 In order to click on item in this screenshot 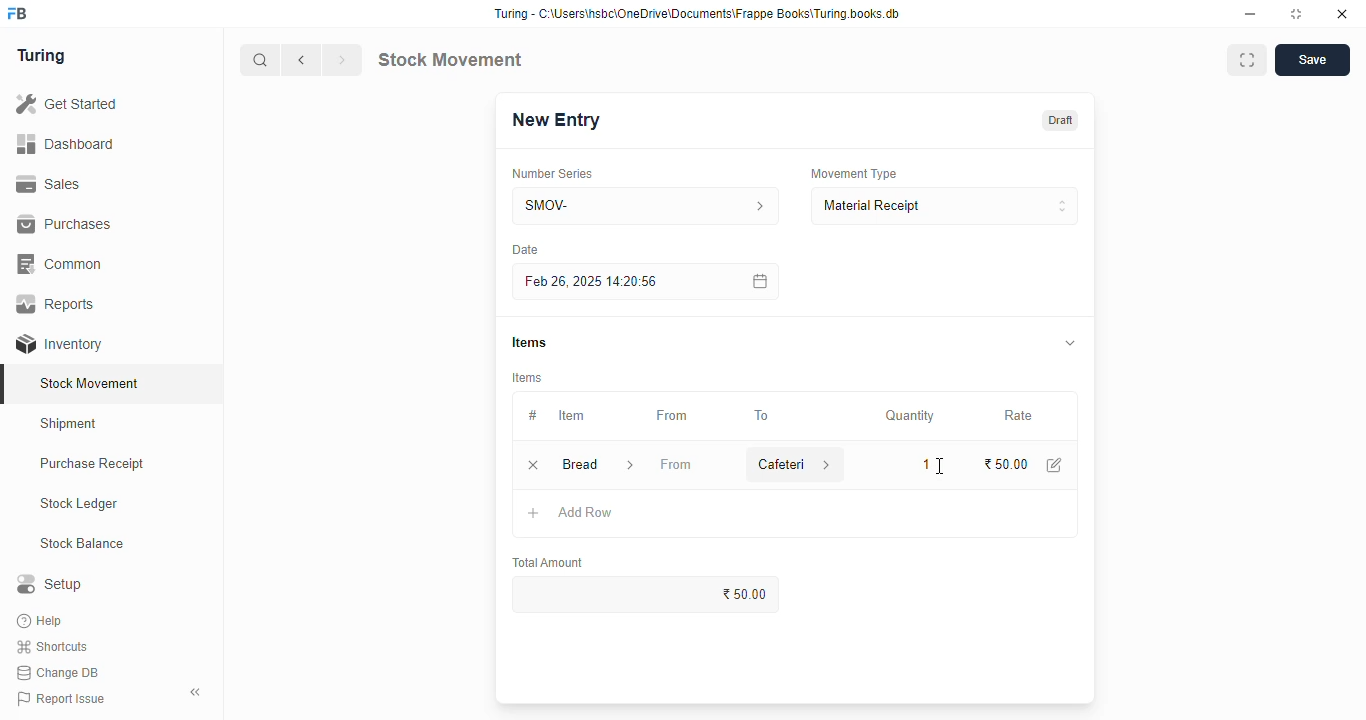, I will do `click(571, 415)`.